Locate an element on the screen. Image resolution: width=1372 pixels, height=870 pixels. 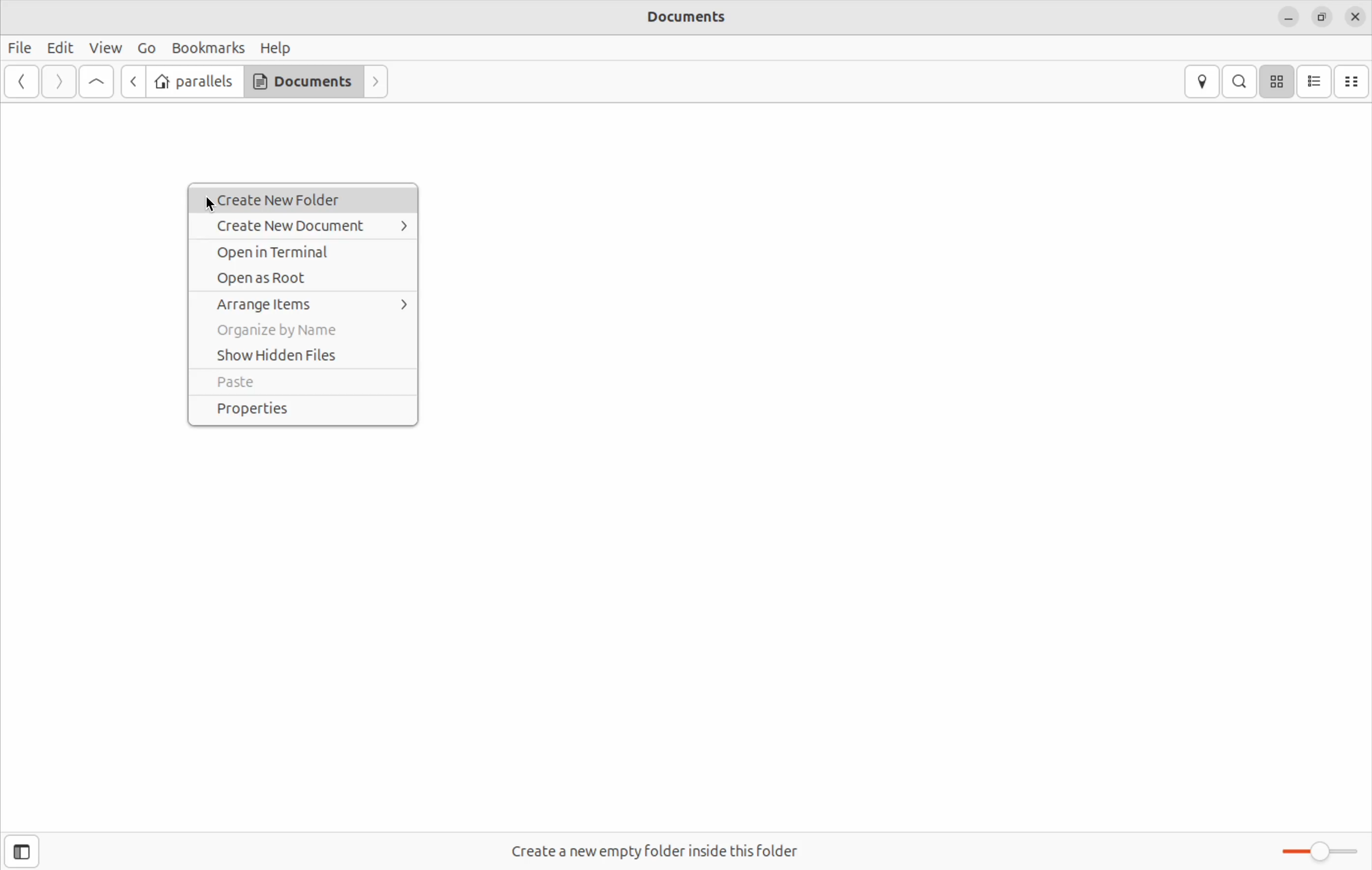
Bookmarks is located at coordinates (209, 48).